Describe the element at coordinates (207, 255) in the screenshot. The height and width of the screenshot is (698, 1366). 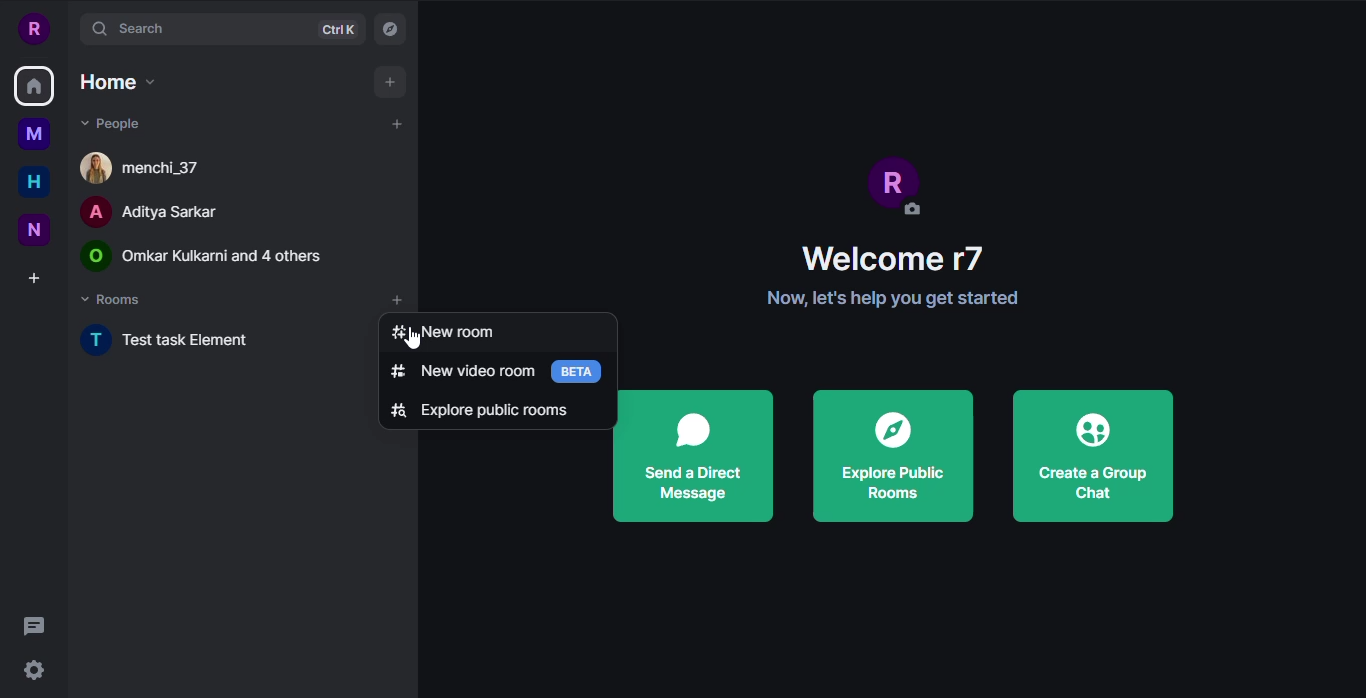
I see `people` at that location.